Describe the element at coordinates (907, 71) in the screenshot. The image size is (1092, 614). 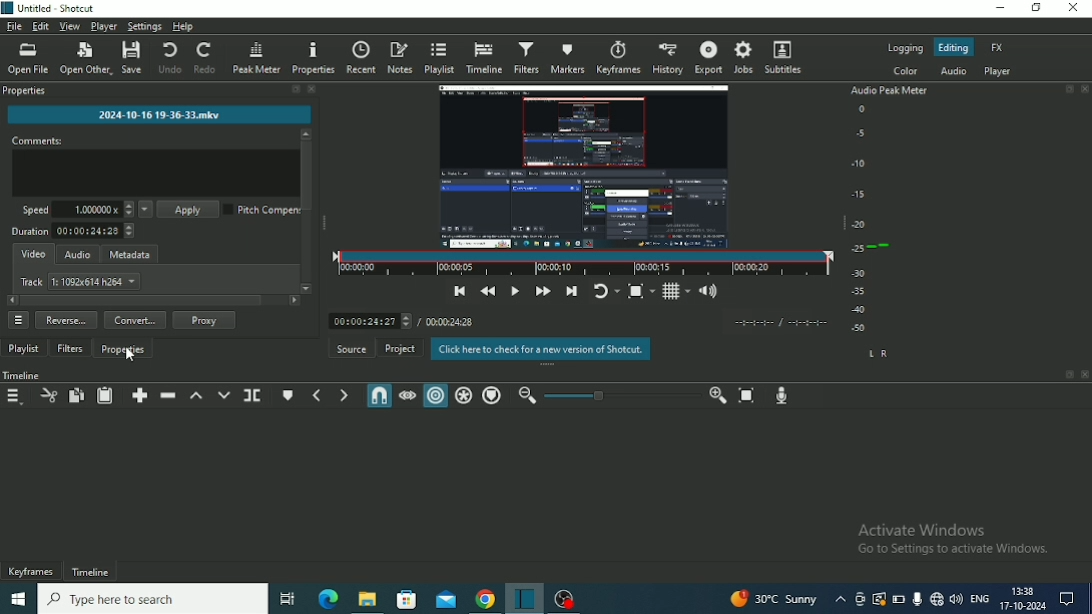
I see `Color` at that location.